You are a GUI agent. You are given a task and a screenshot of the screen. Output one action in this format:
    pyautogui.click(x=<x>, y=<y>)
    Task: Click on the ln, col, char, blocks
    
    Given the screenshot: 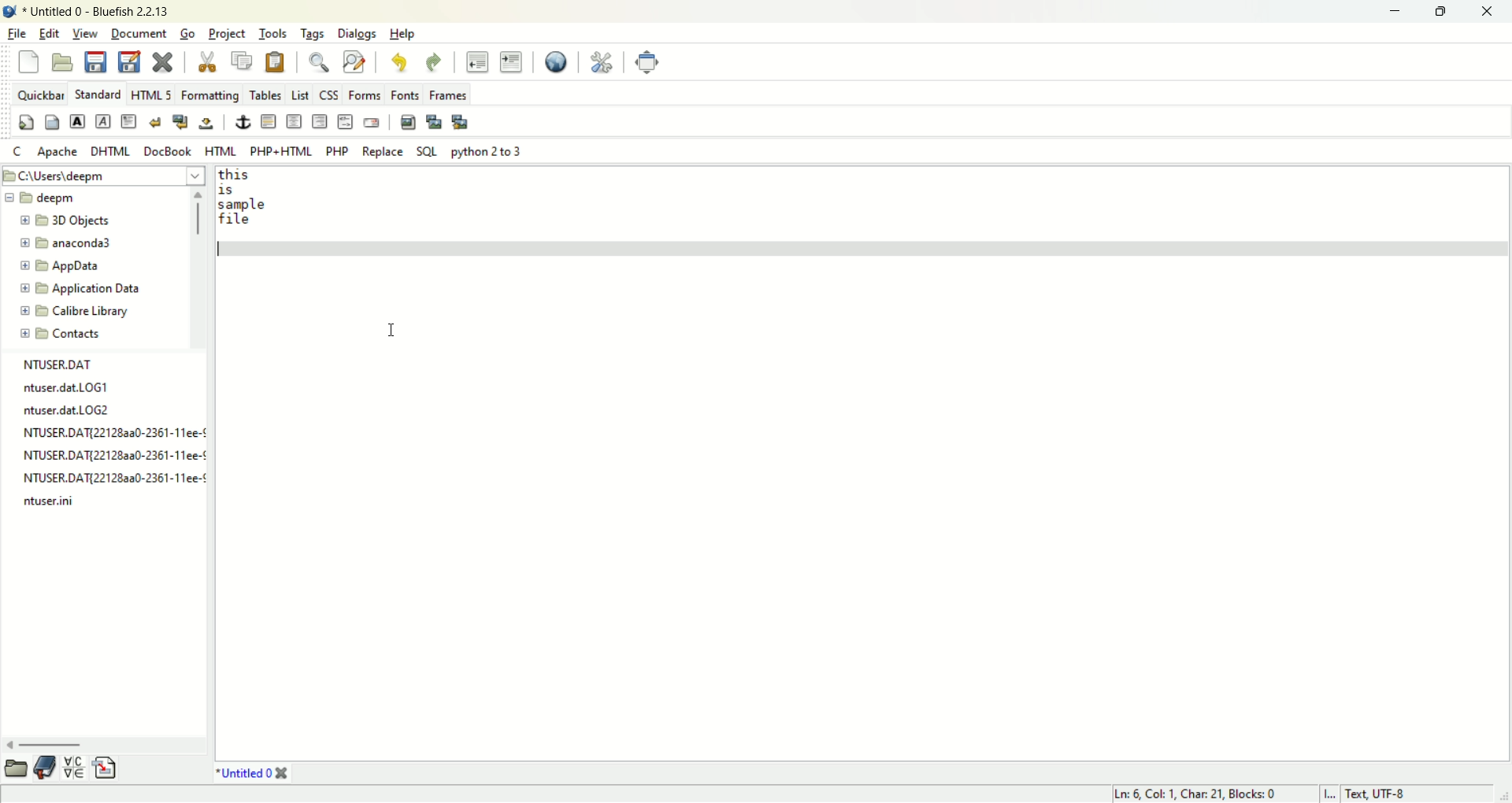 What is the action you would take?
    pyautogui.click(x=1192, y=794)
    